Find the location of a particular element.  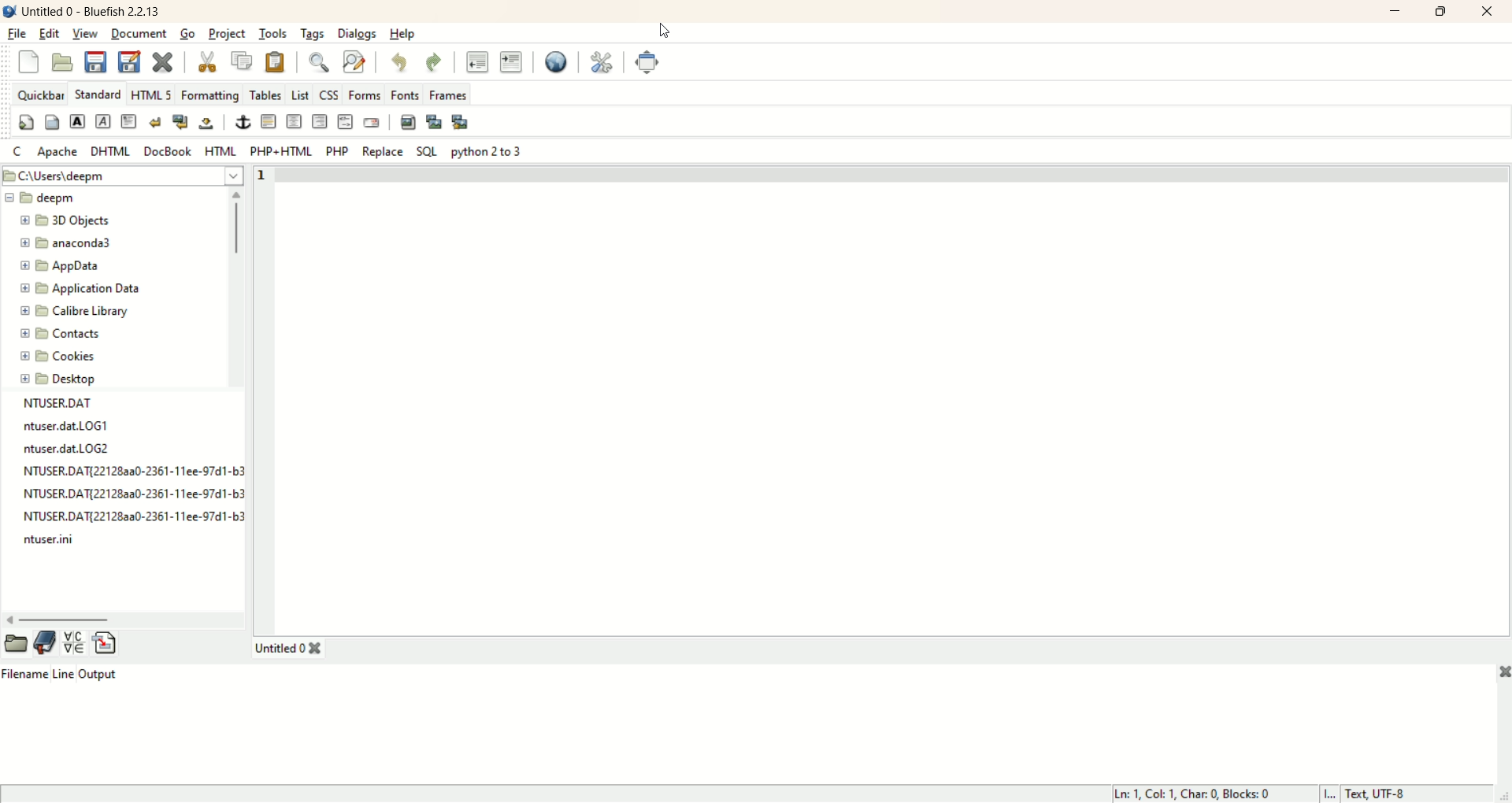

open file is located at coordinates (63, 63).